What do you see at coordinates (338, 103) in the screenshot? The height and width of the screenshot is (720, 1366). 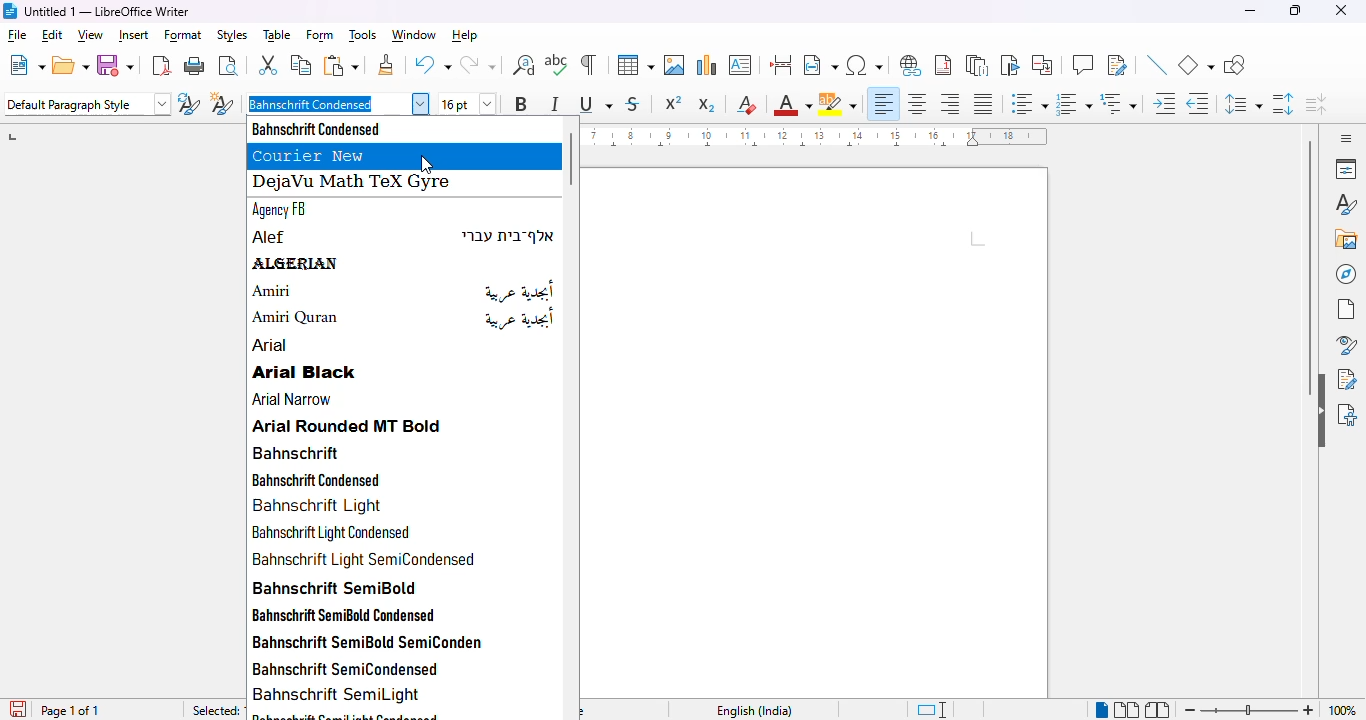 I see `font style` at bounding box center [338, 103].